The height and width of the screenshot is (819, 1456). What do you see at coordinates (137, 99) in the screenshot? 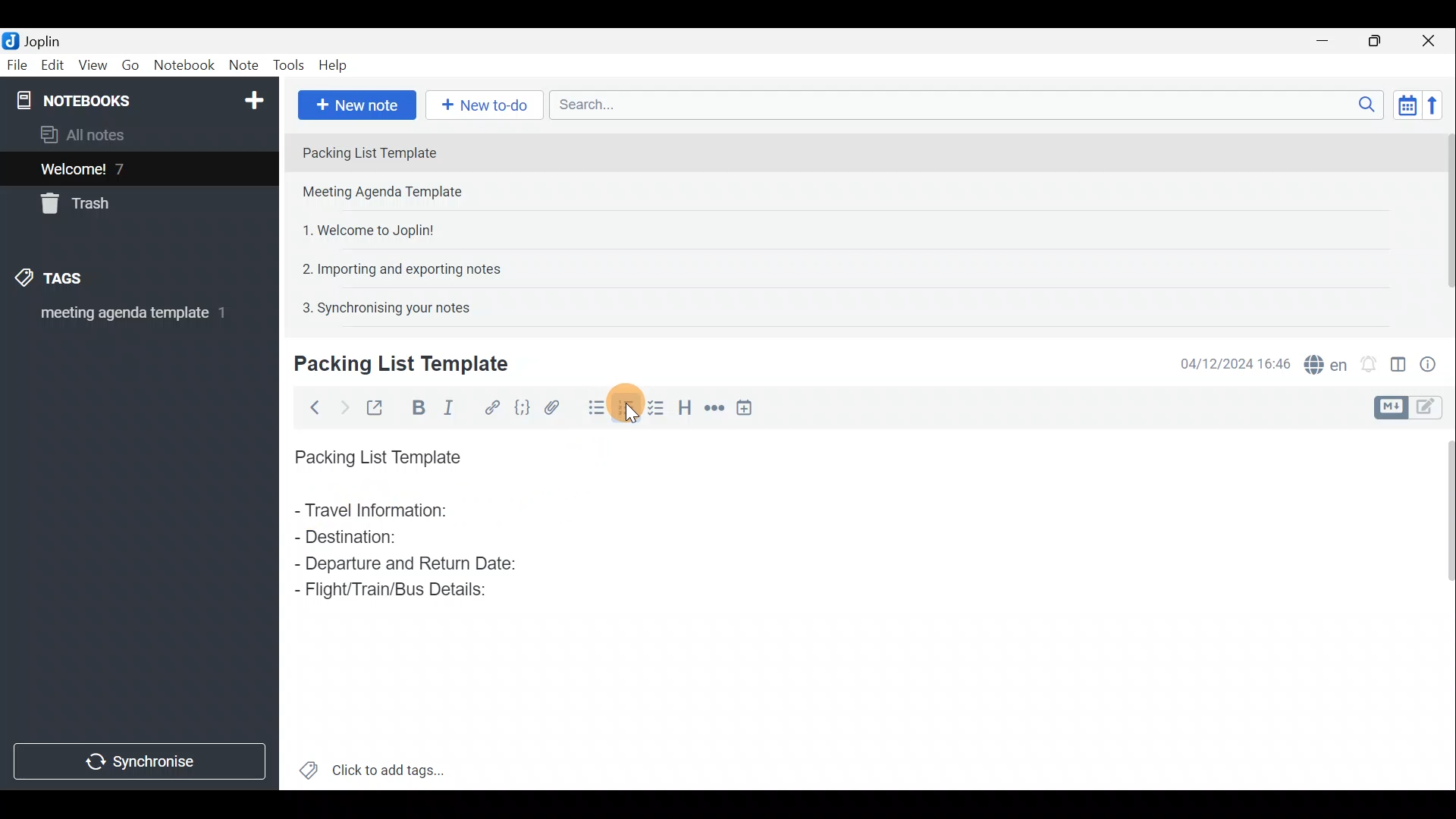
I see `Notebook` at bounding box center [137, 99].